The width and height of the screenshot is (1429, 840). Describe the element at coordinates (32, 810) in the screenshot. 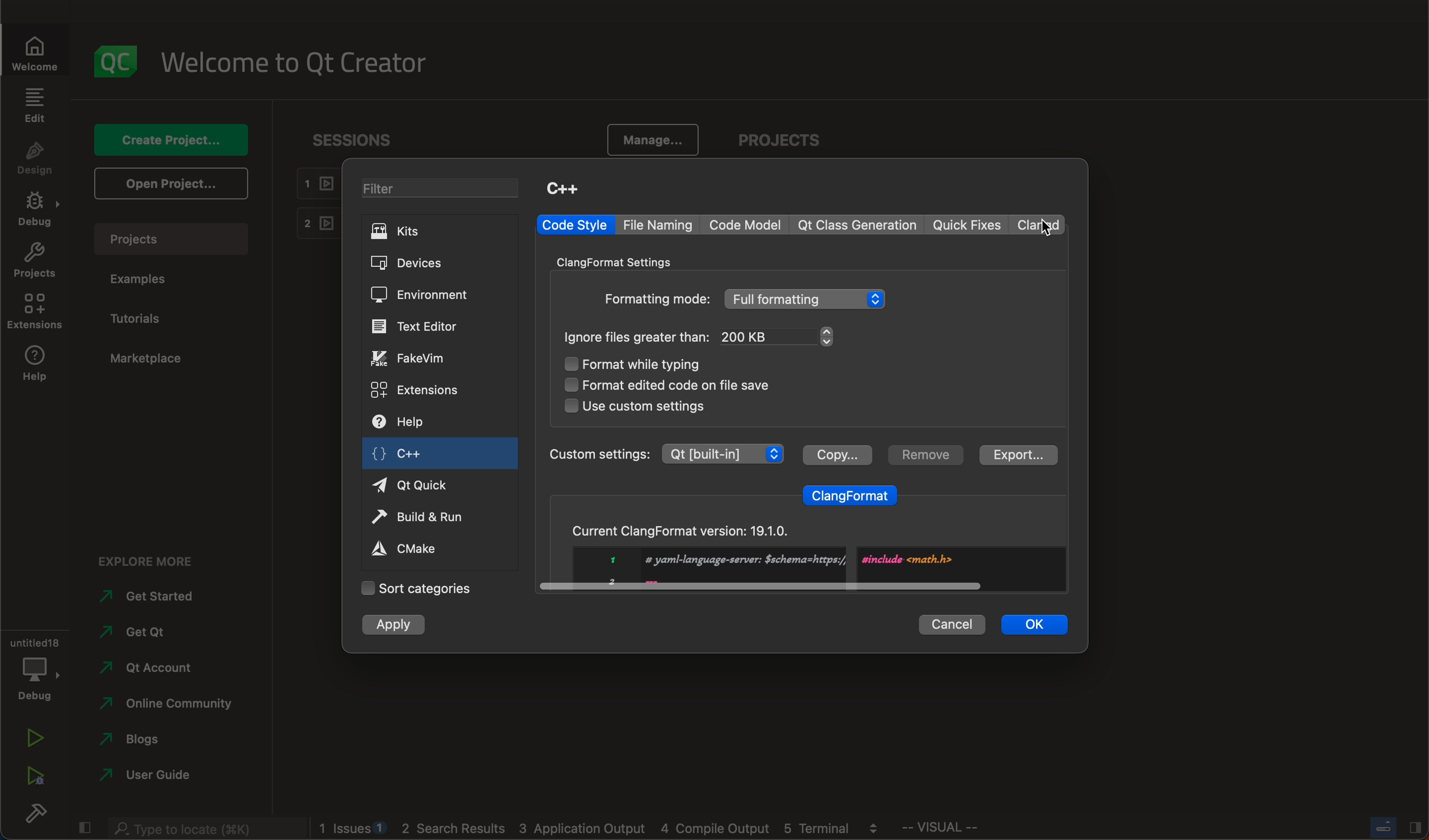

I see `build` at that location.